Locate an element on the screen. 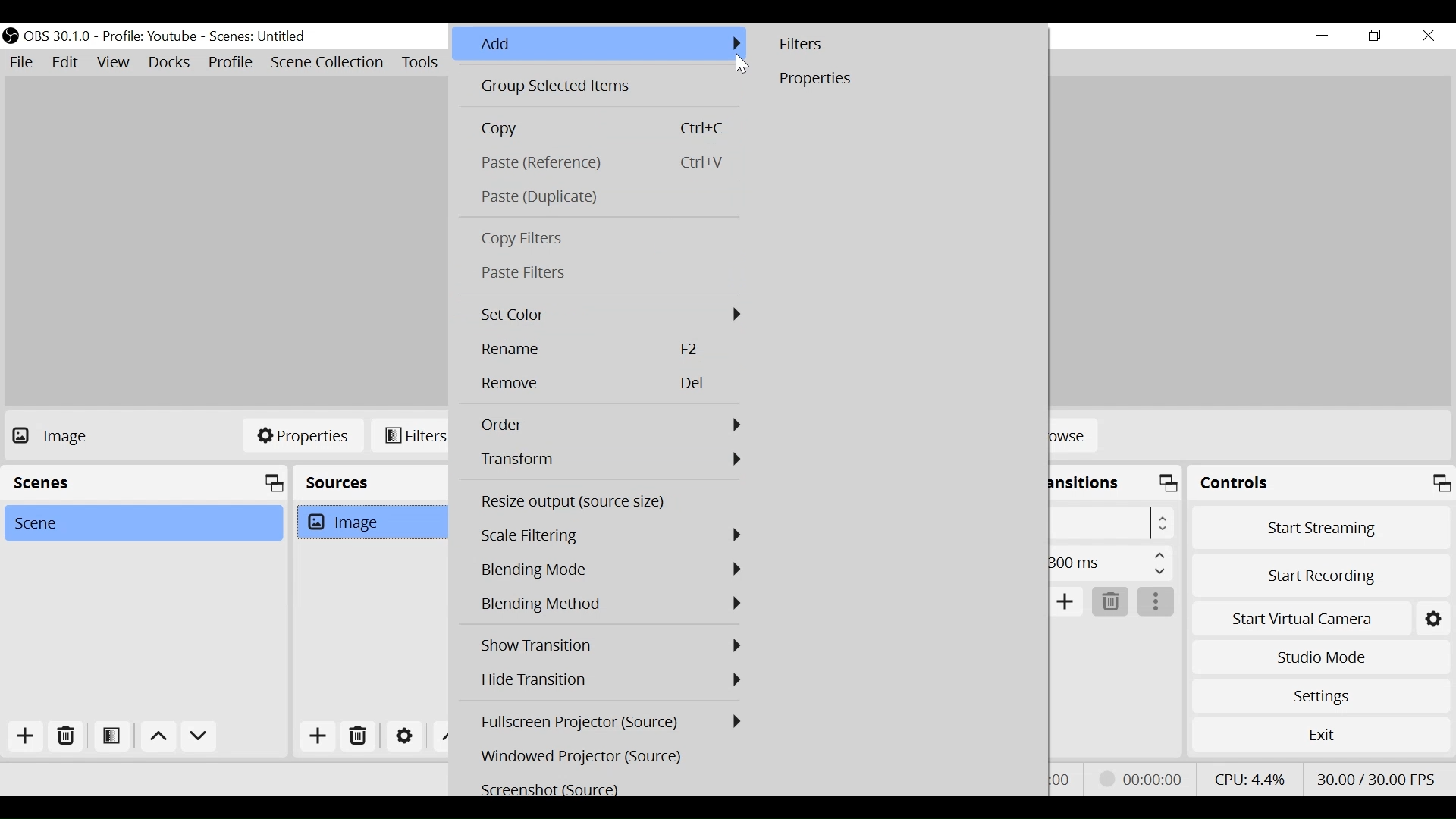 This screenshot has height=819, width=1456. Paste Filters is located at coordinates (603, 272).